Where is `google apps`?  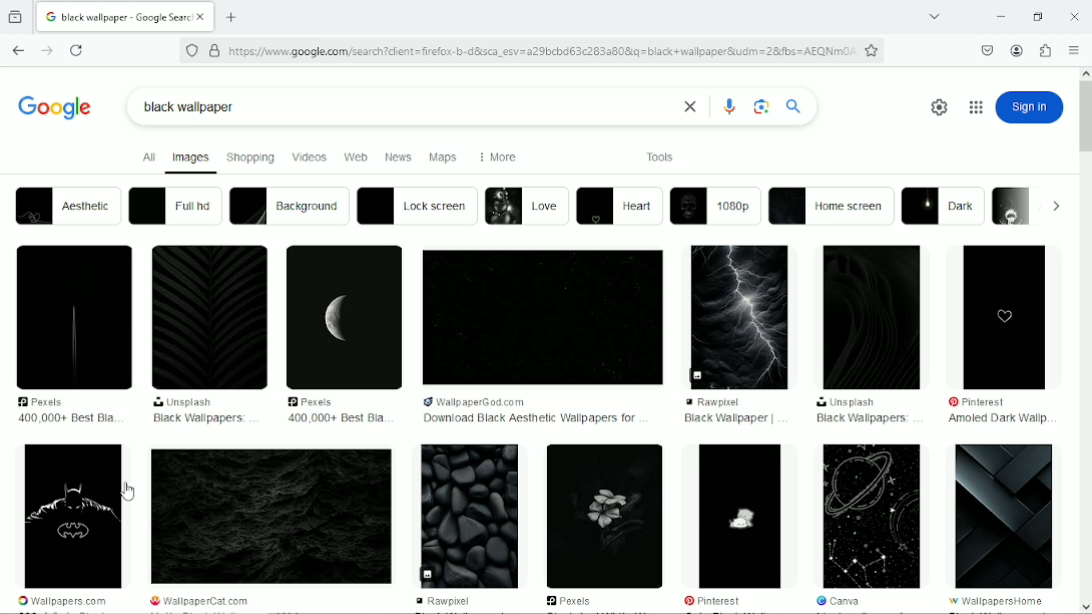 google apps is located at coordinates (975, 107).